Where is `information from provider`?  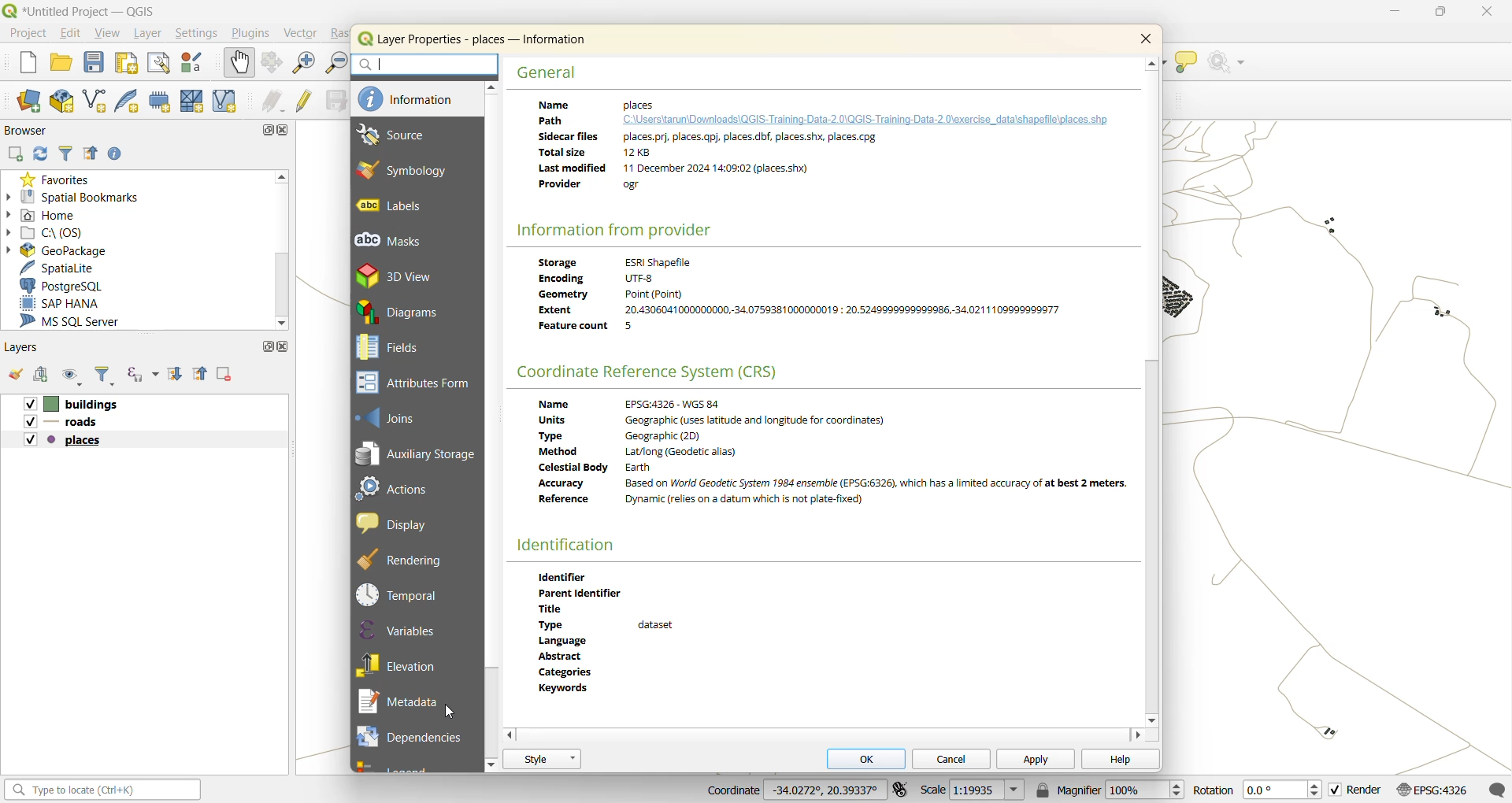
information from provider is located at coordinates (615, 231).